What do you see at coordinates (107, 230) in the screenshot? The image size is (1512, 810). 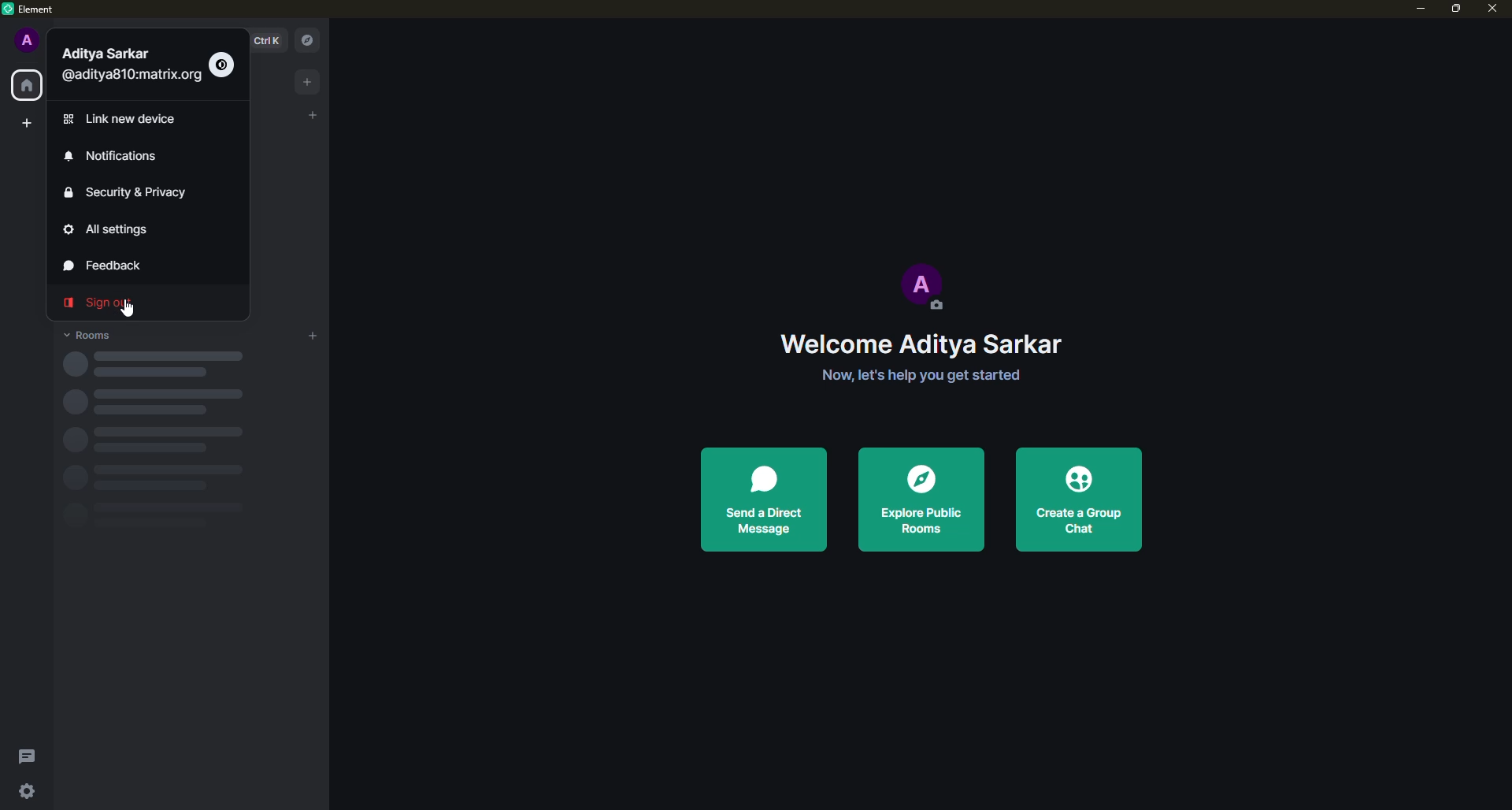 I see `all settings` at bounding box center [107, 230].